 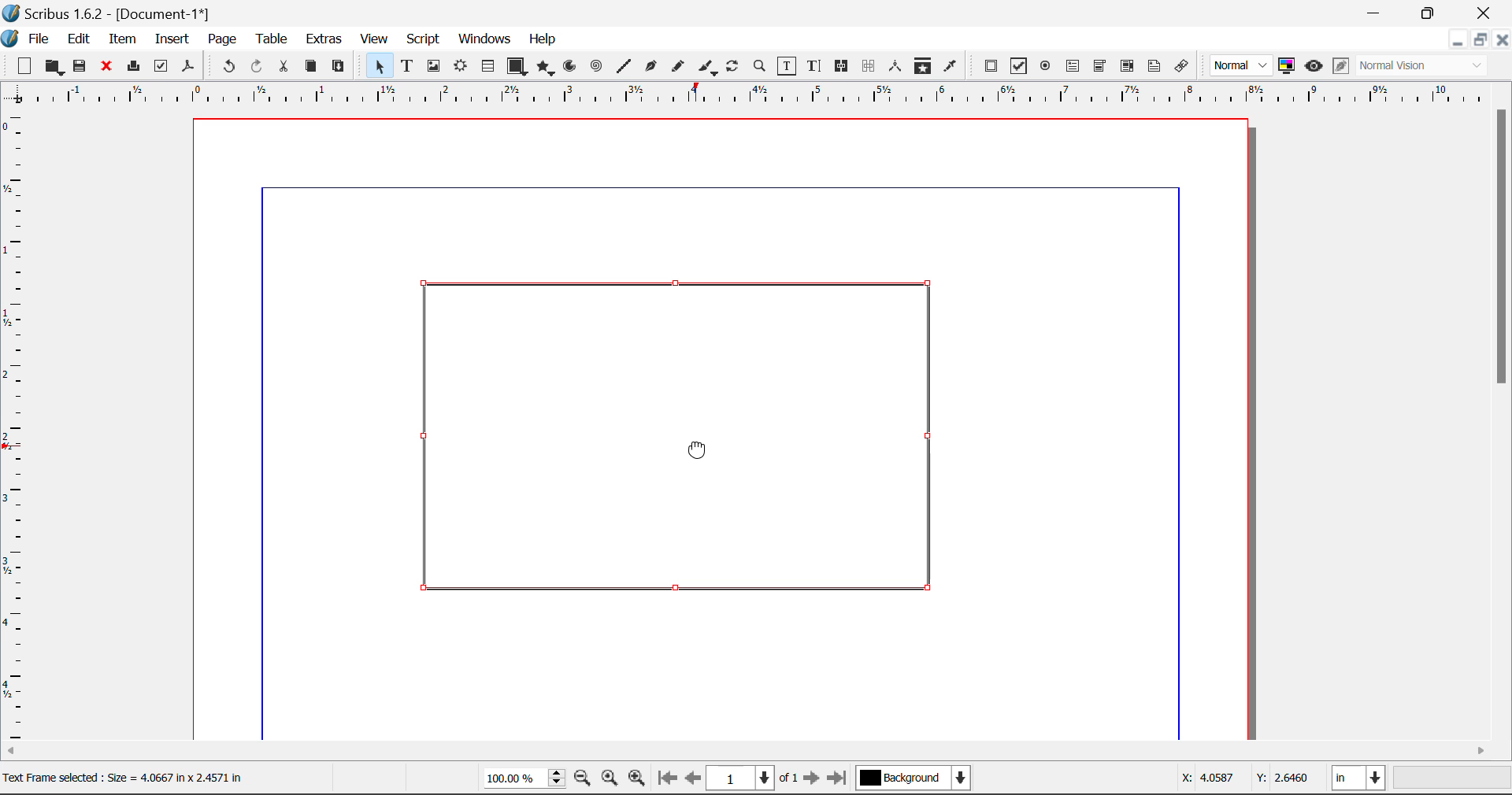 I want to click on Windows, so click(x=484, y=40).